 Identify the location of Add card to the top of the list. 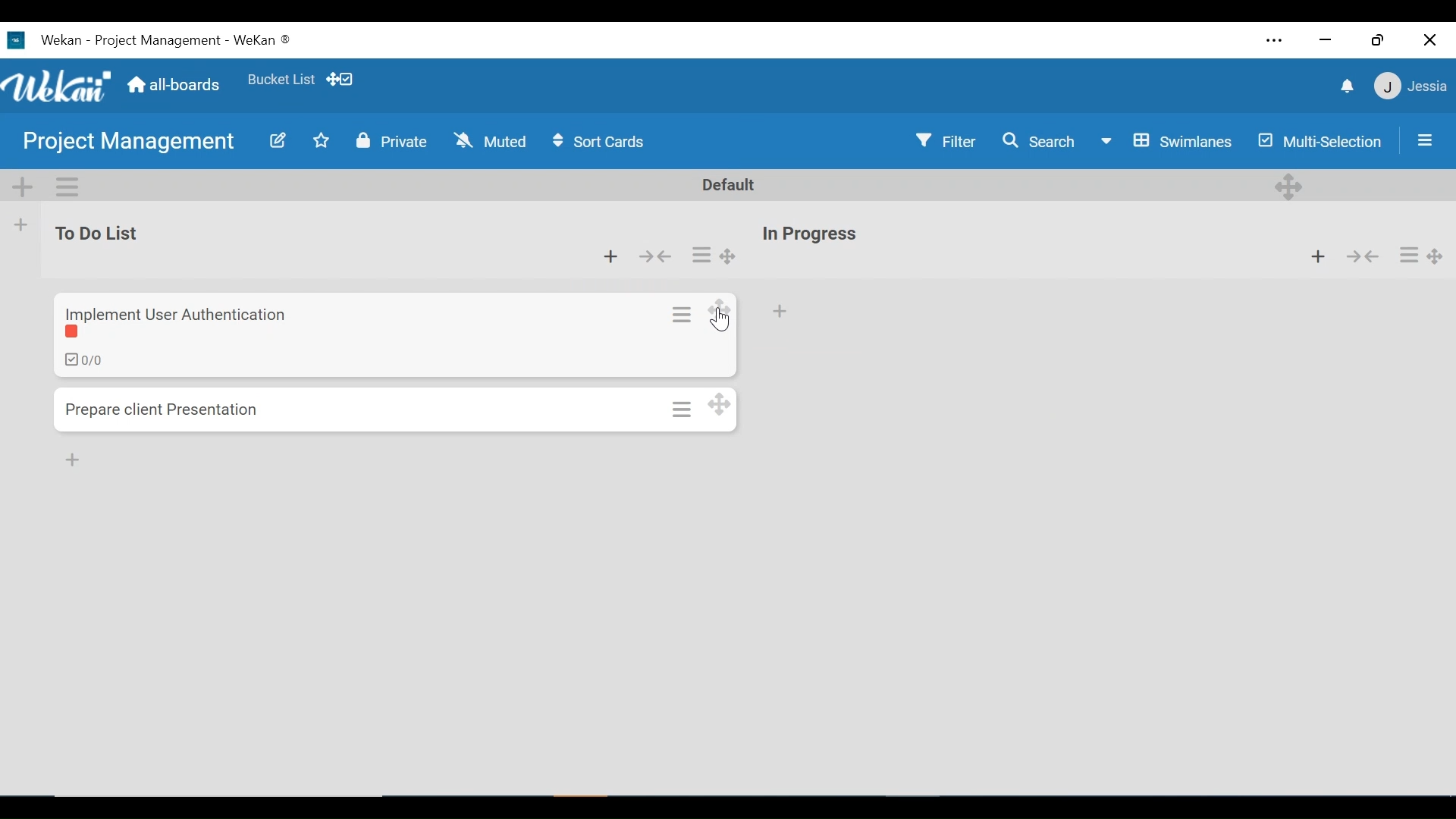
(1320, 257).